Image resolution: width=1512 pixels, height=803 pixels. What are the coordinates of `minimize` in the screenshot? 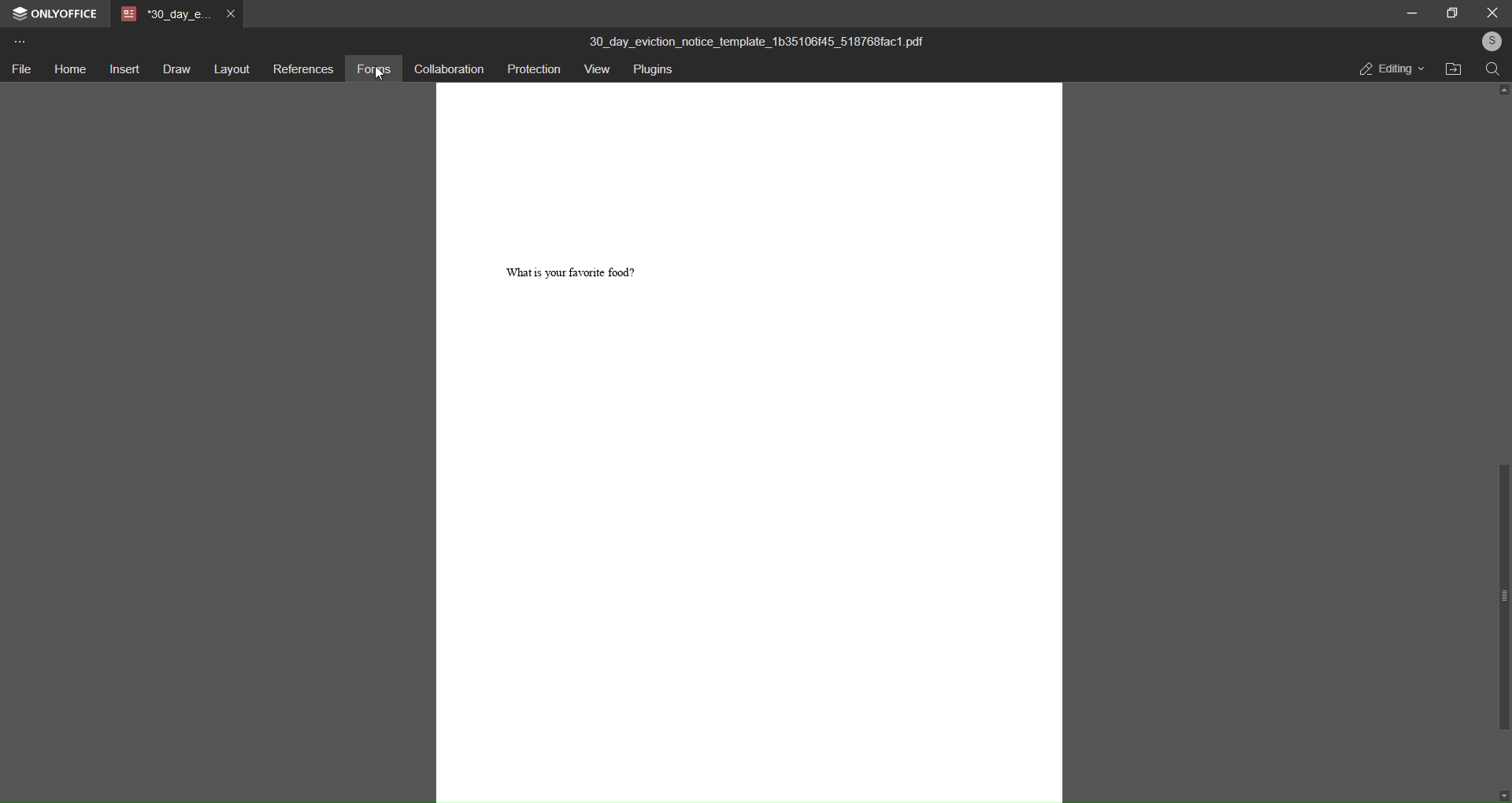 It's located at (1410, 13).